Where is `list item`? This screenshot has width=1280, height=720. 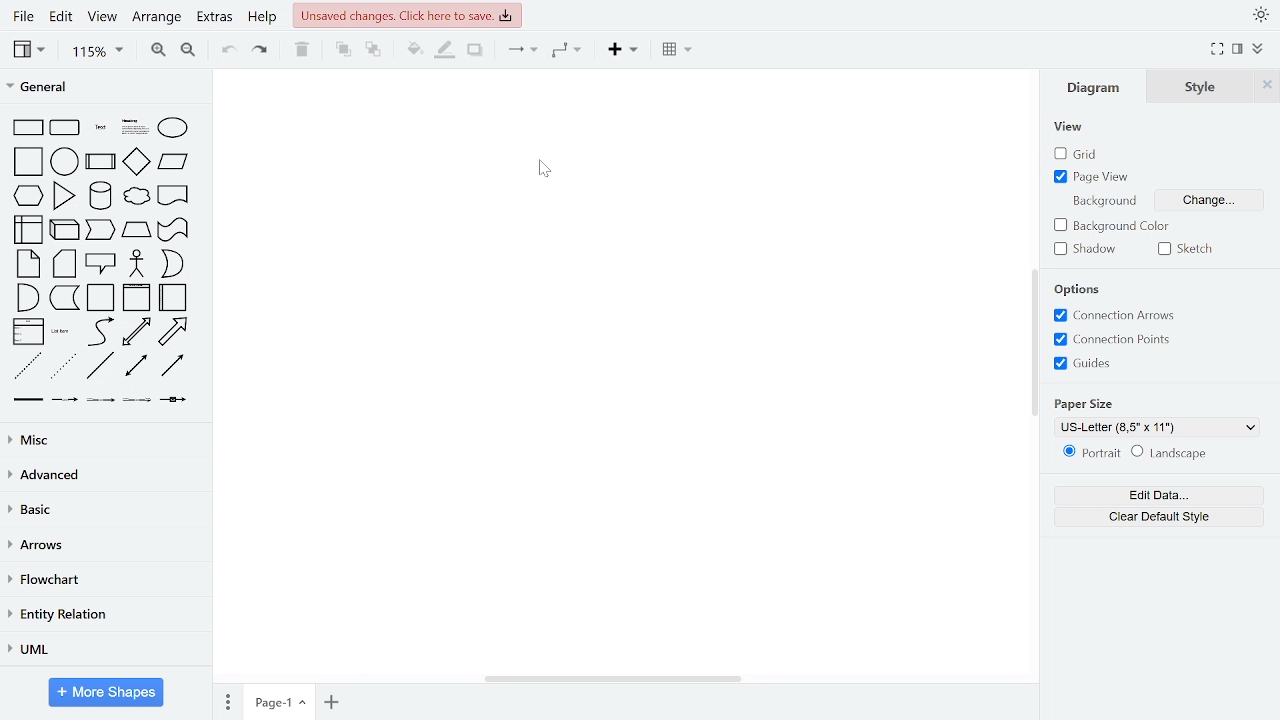
list item is located at coordinates (62, 329).